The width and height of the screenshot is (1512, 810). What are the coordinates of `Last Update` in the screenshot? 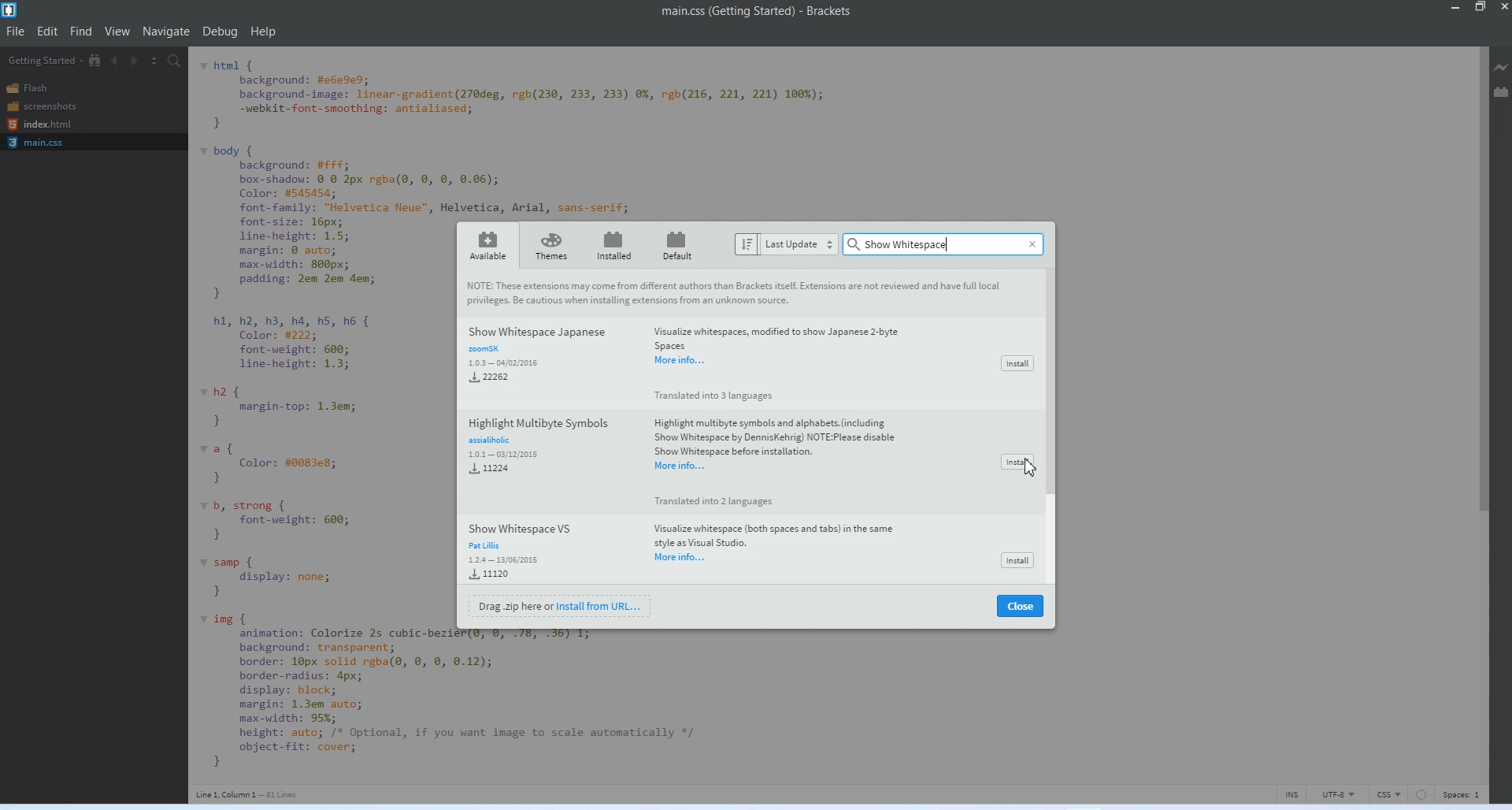 It's located at (784, 243).